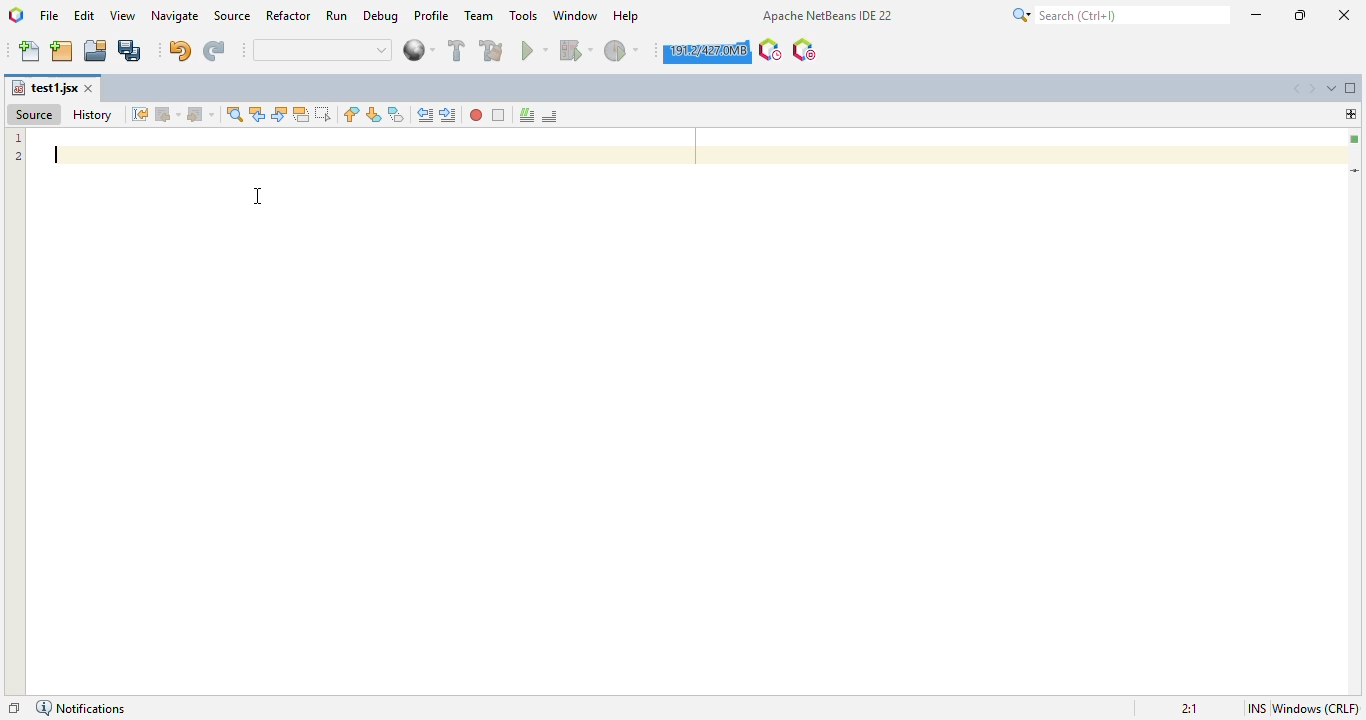 This screenshot has width=1366, height=720. Describe the element at coordinates (258, 114) in the screenshot. I see `find previous occurrence` at that location.